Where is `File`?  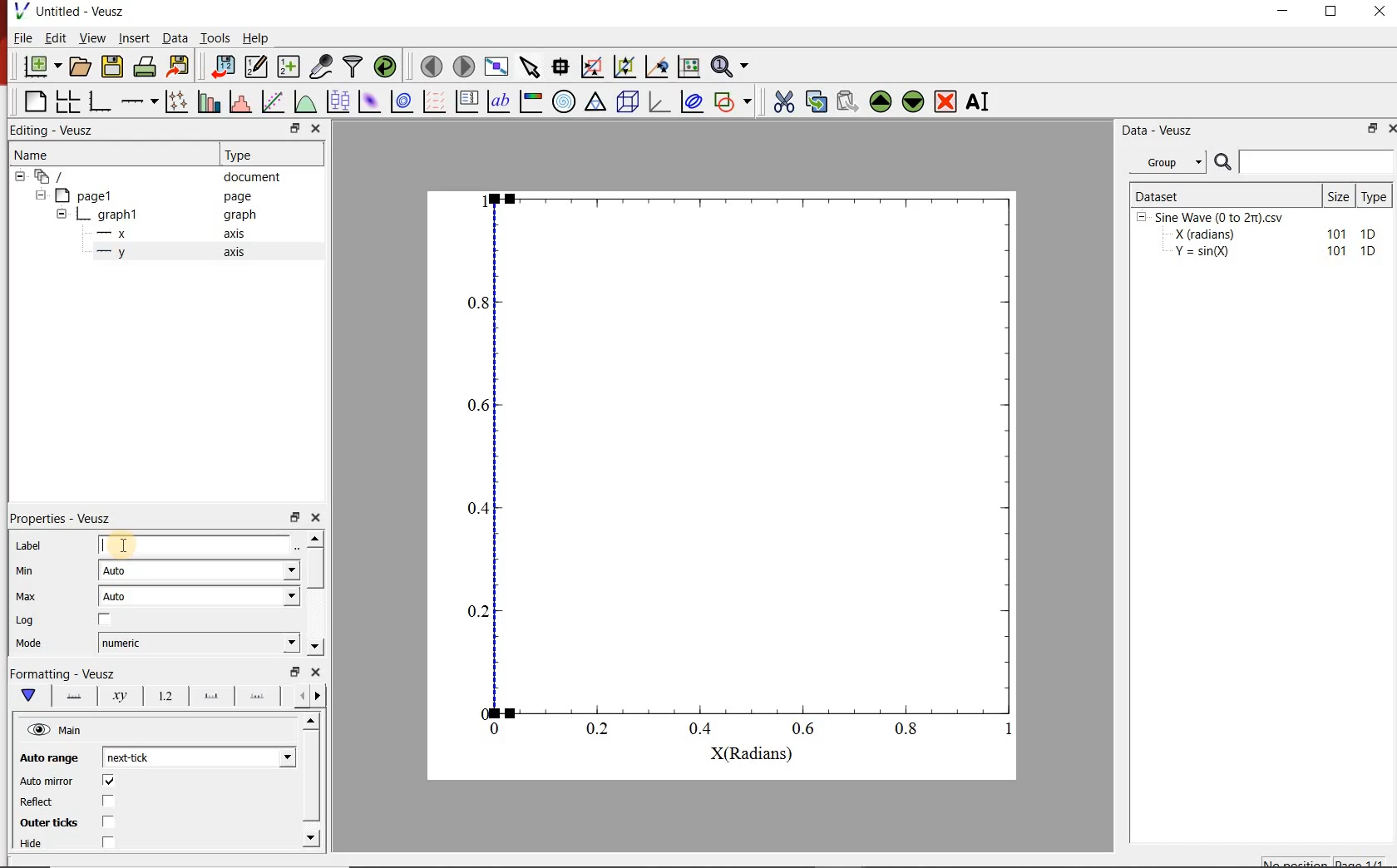 File is located at coordinates (23, 37).